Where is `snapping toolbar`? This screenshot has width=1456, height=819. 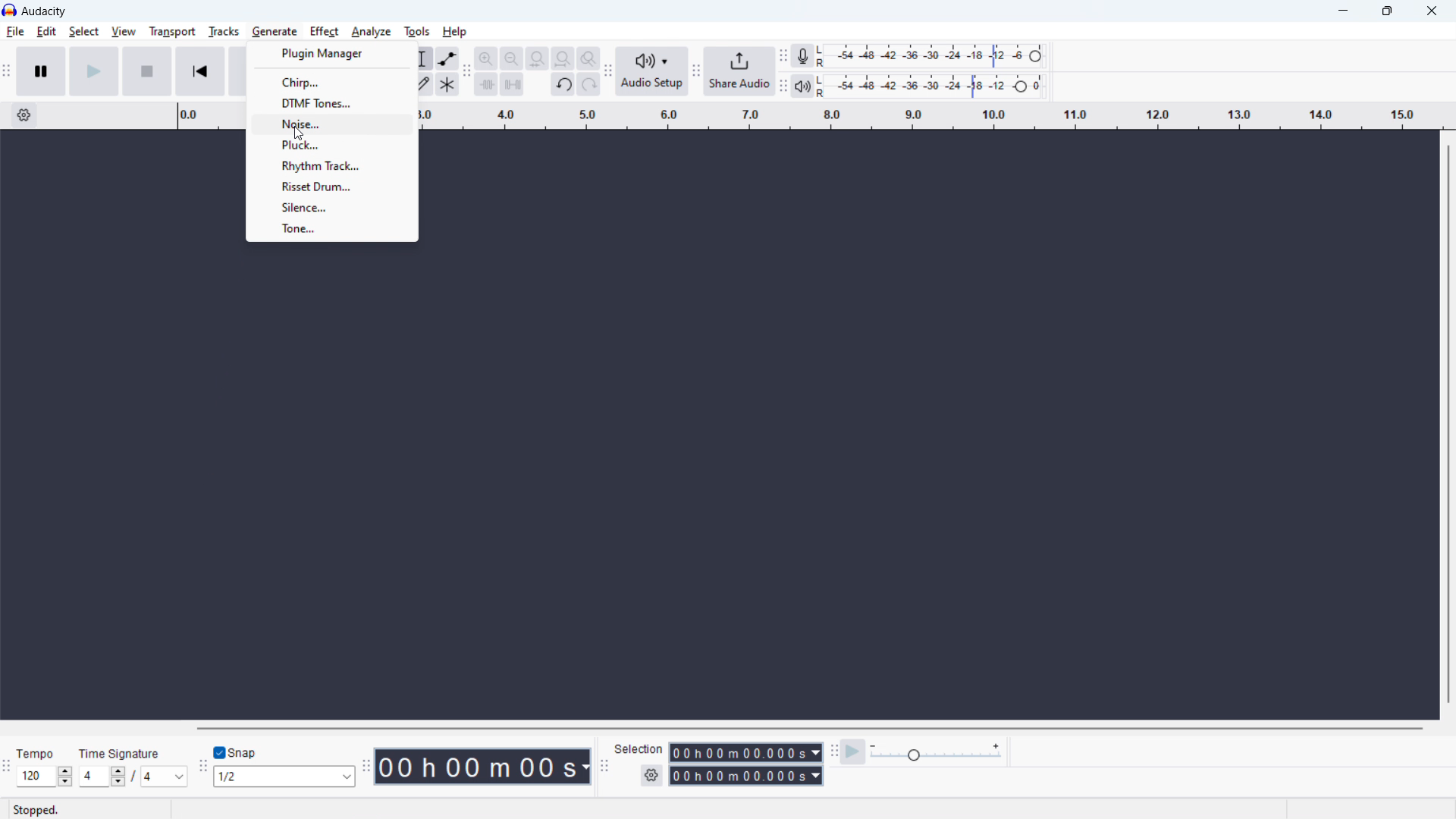
snapping toolbar is located at coordinates (204, 767).